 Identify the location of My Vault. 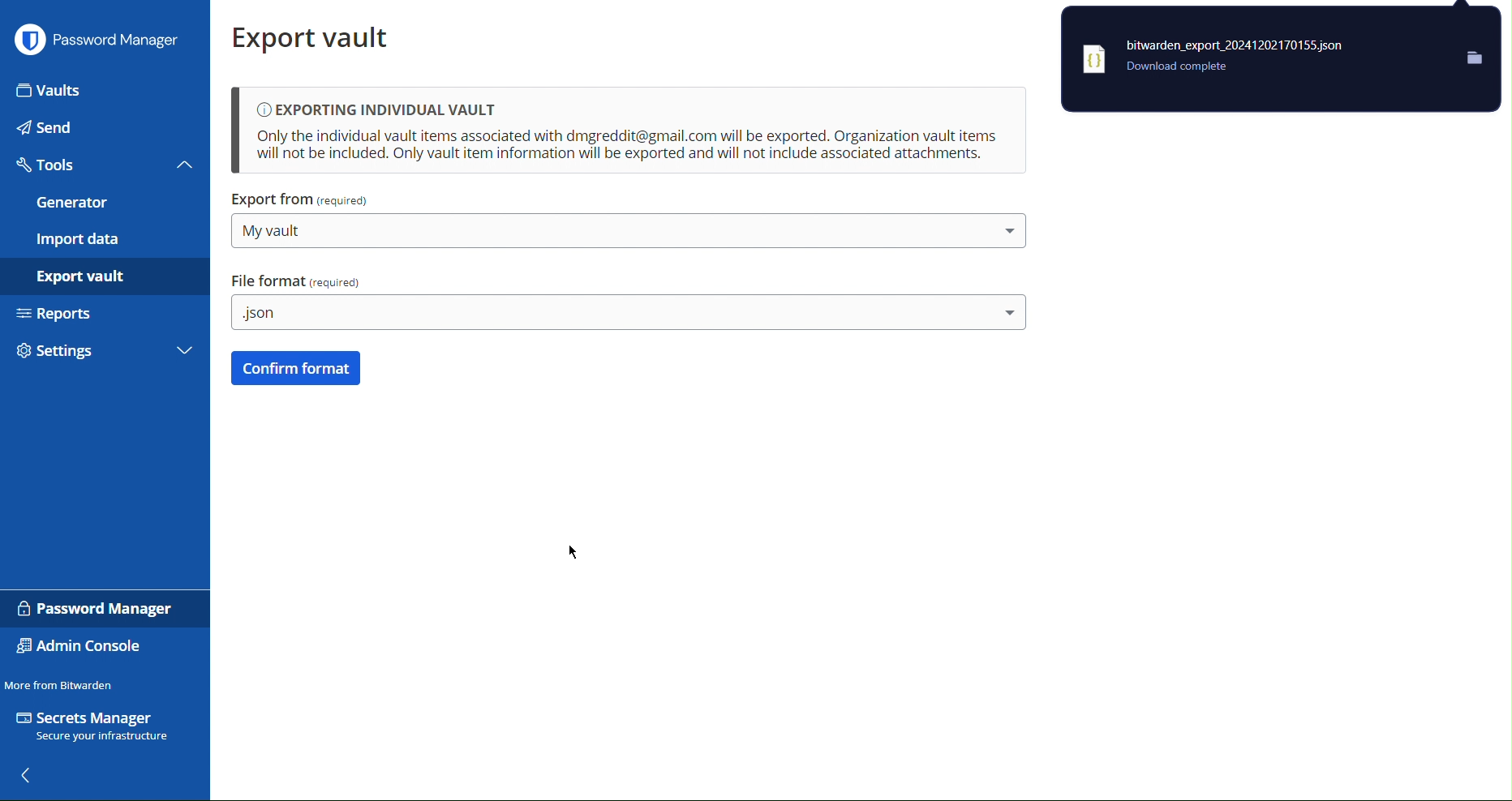
(629, 233).